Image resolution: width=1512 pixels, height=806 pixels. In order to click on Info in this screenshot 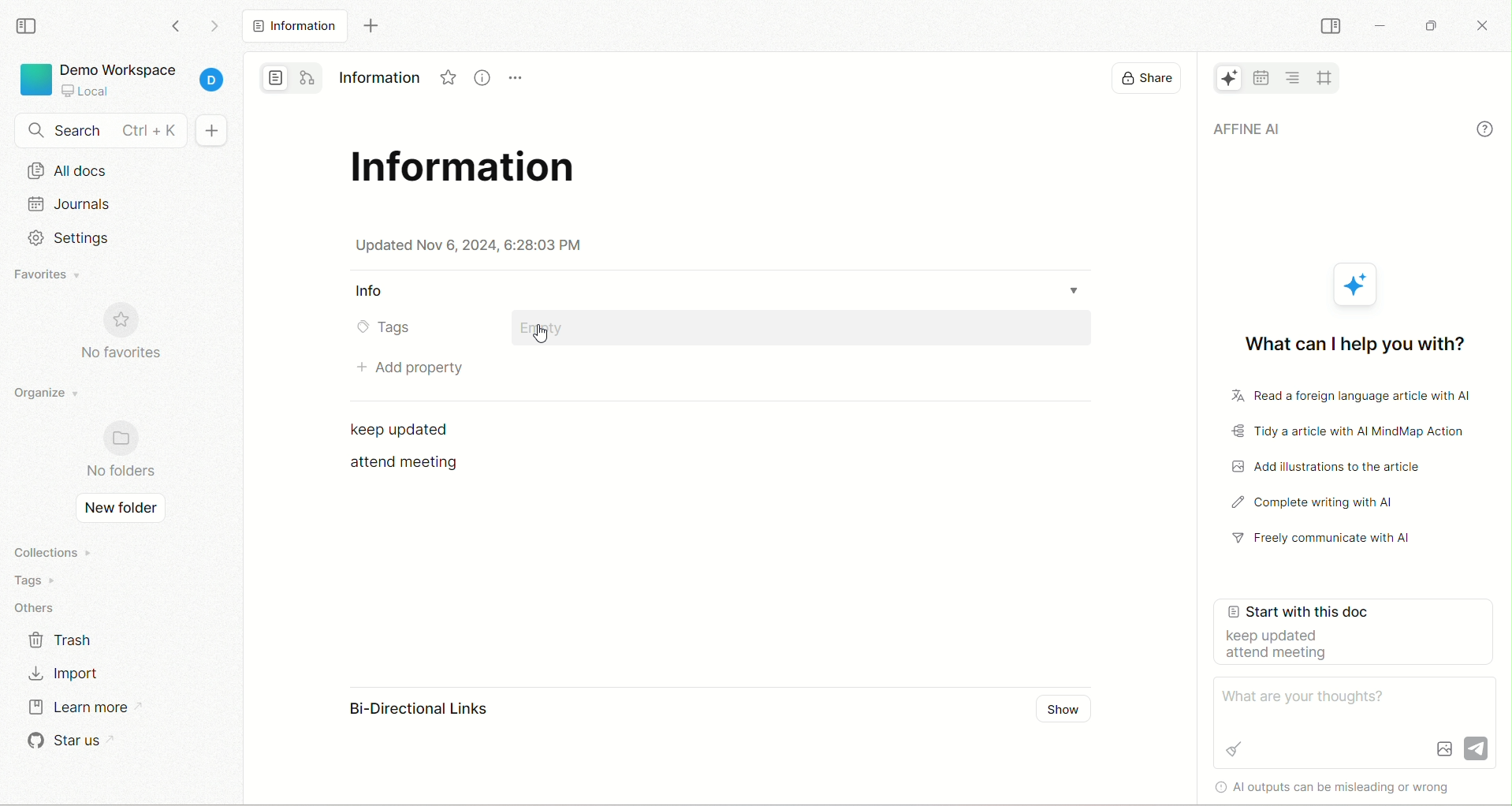, I will do `click(373, 292)`.